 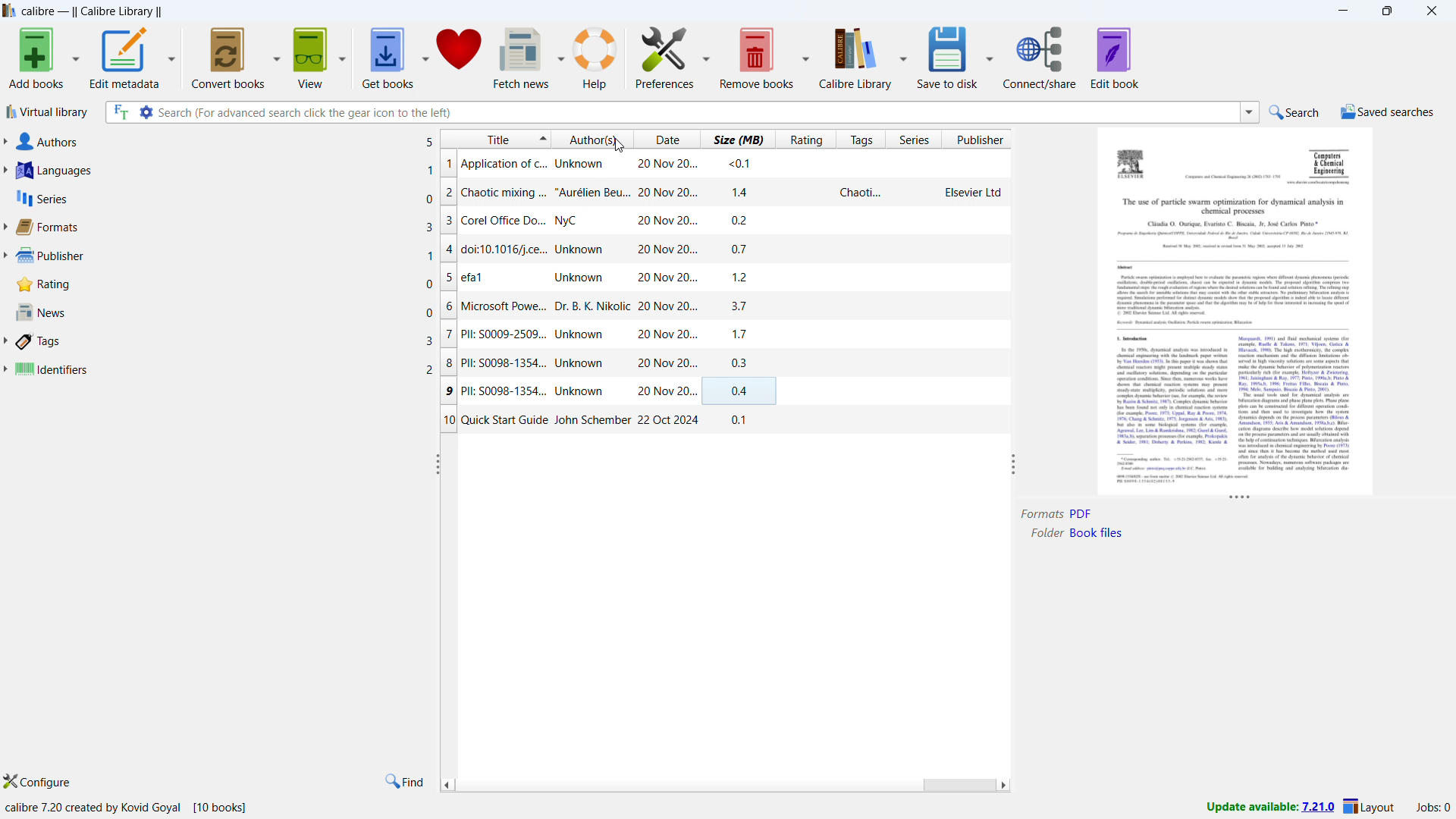 What do you see at coordinates (582, 364) in the screenshot?
I see `Pll: S0098-1354... Unknown 20 Nov 20...` at bounding box center [582, 364].